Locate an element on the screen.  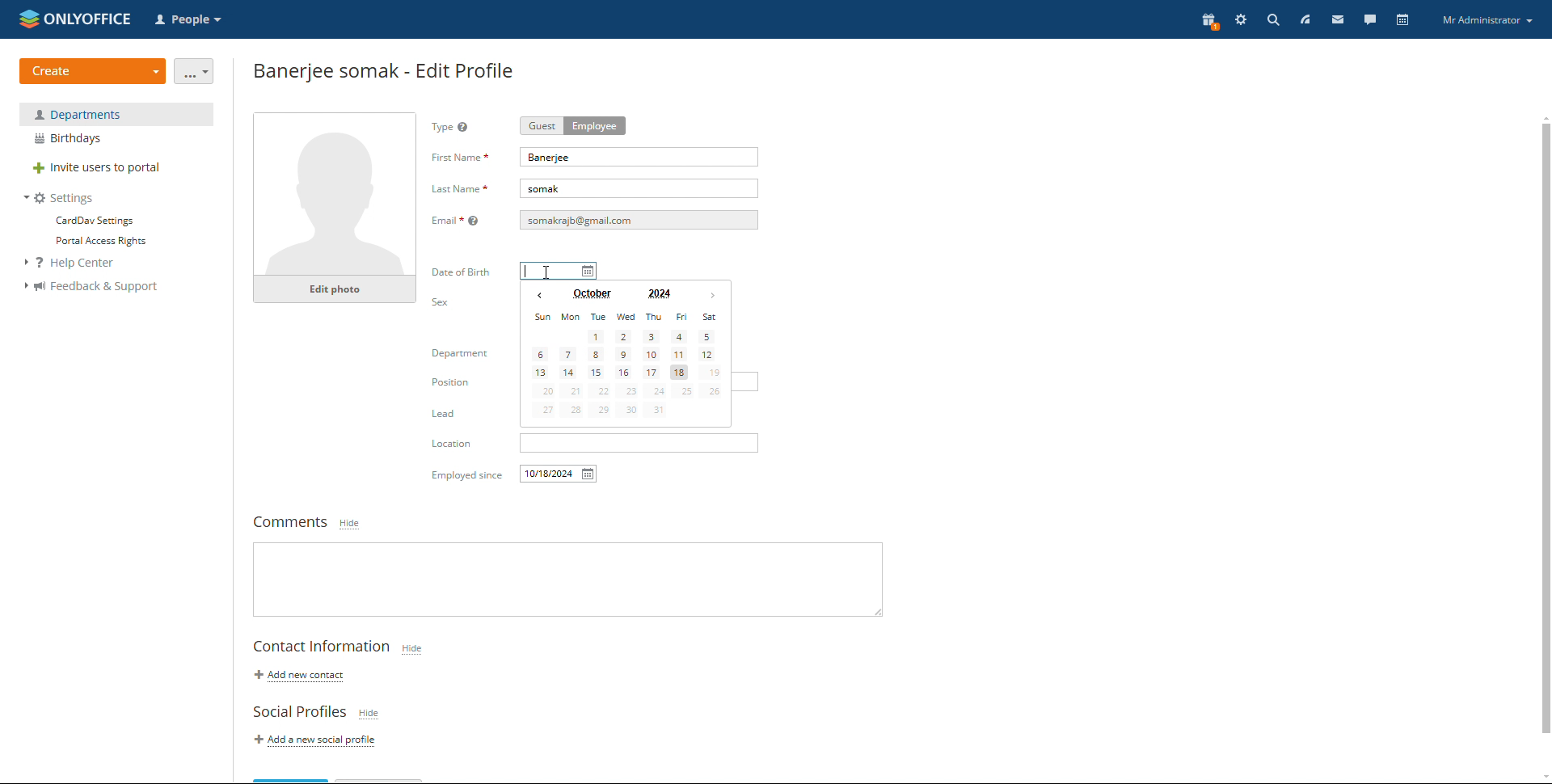
date of birth is located at coordinates (559, 272).